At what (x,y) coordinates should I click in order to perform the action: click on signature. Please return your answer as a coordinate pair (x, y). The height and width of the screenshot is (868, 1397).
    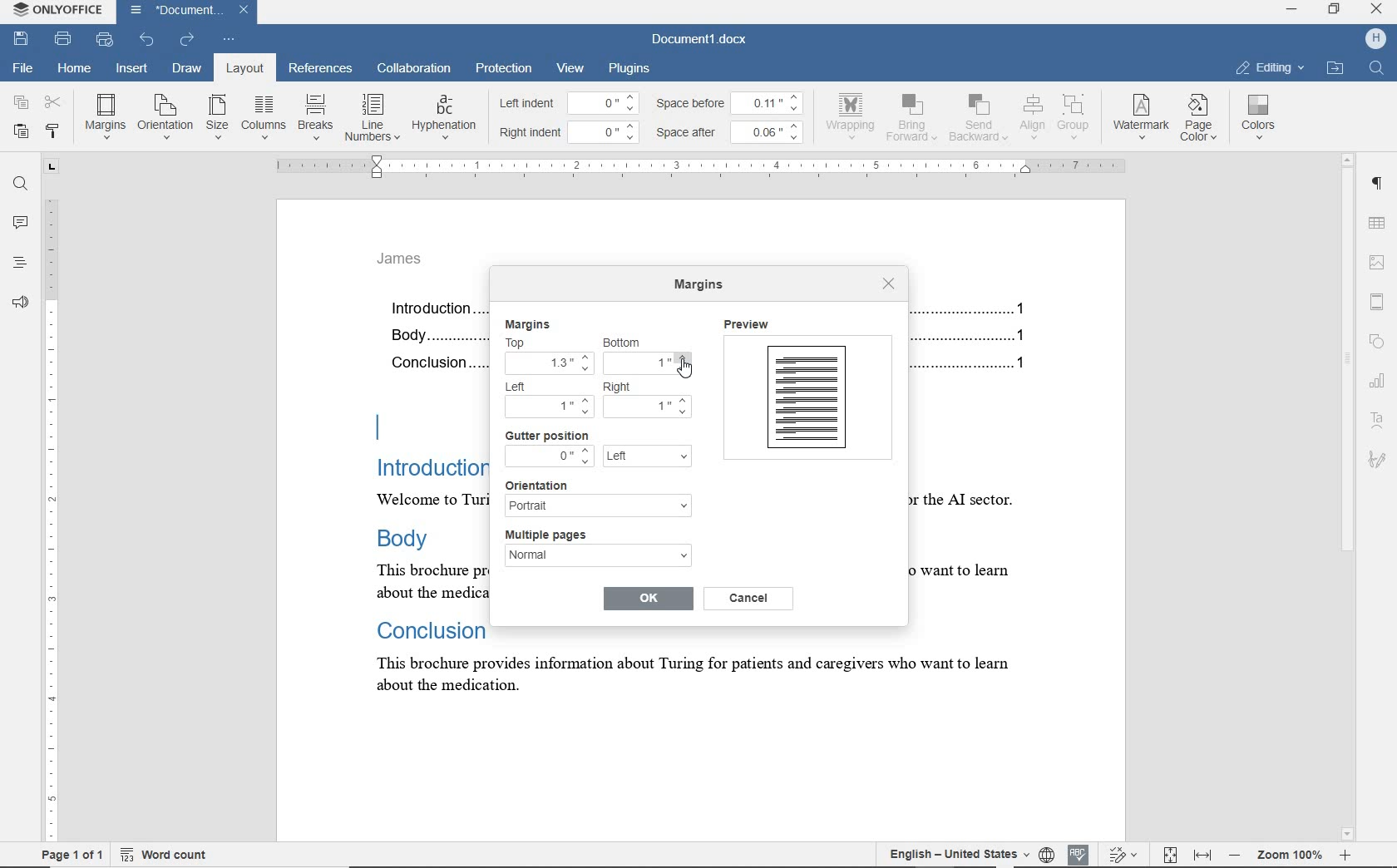
    Looking at the image, I should click on (1376, 458).